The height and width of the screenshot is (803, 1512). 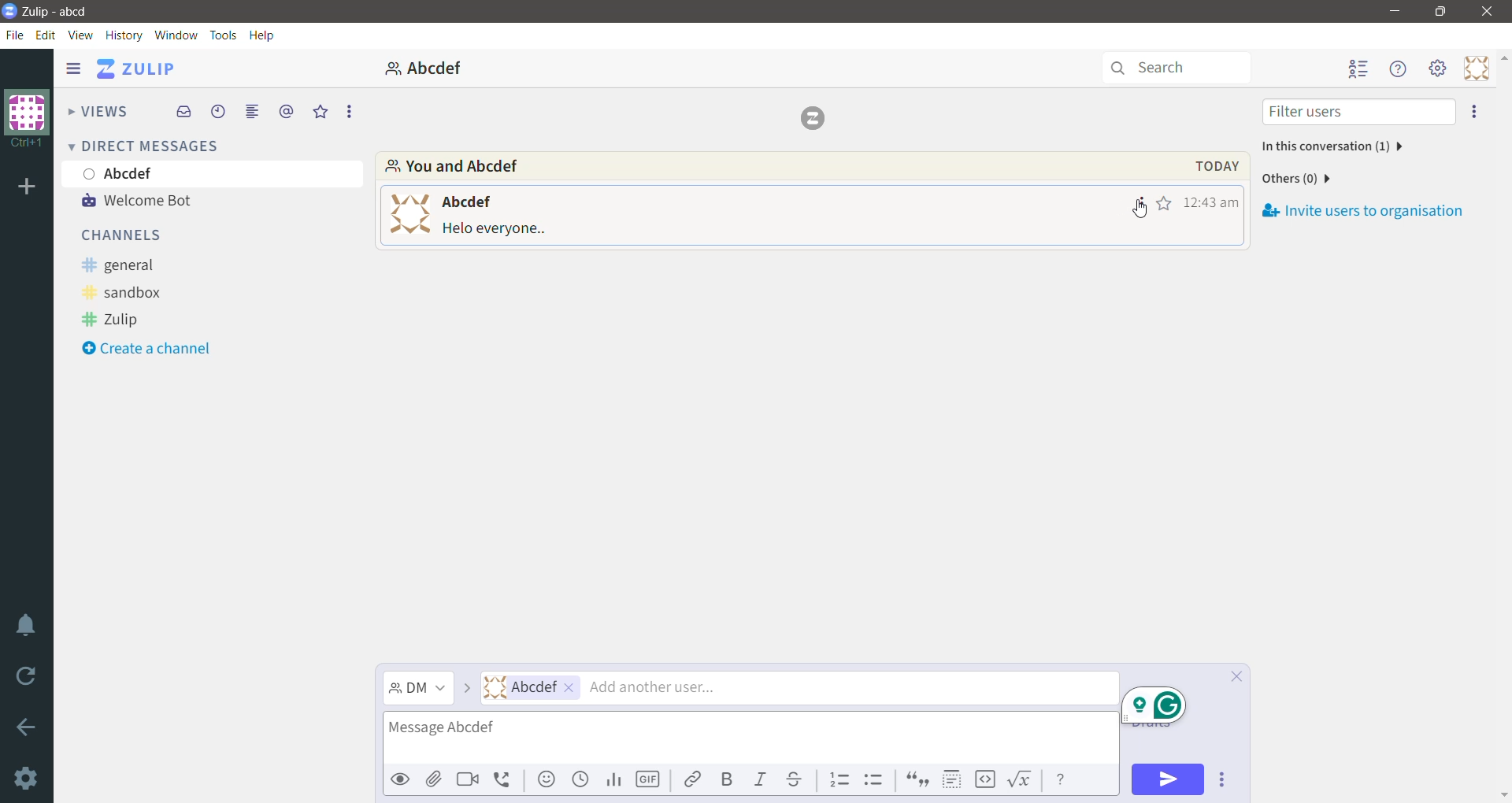 I want to click on Zulip, so click(x=115, y=319).